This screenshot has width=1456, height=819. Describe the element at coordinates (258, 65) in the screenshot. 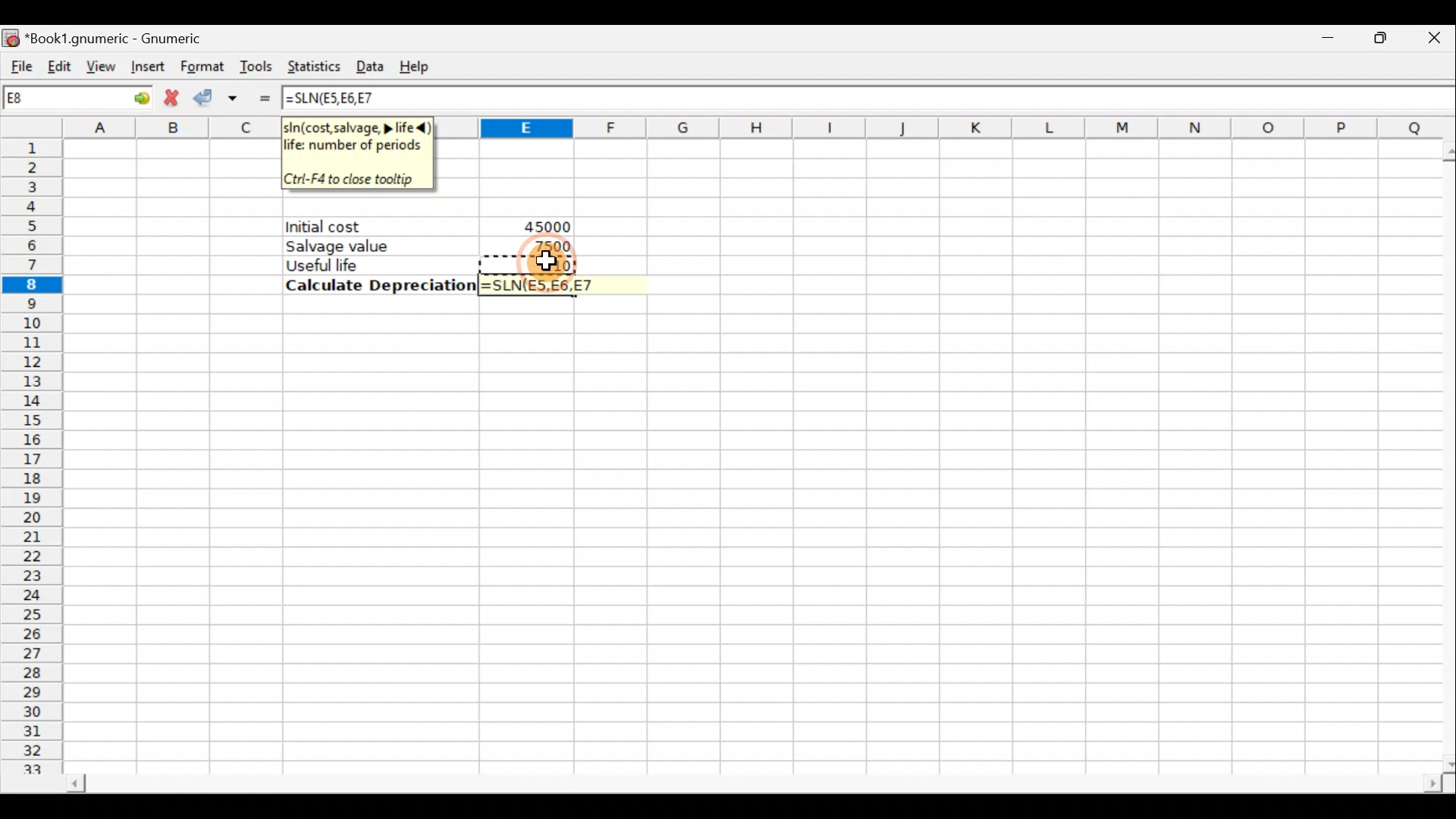

I see `Tools` at that location.